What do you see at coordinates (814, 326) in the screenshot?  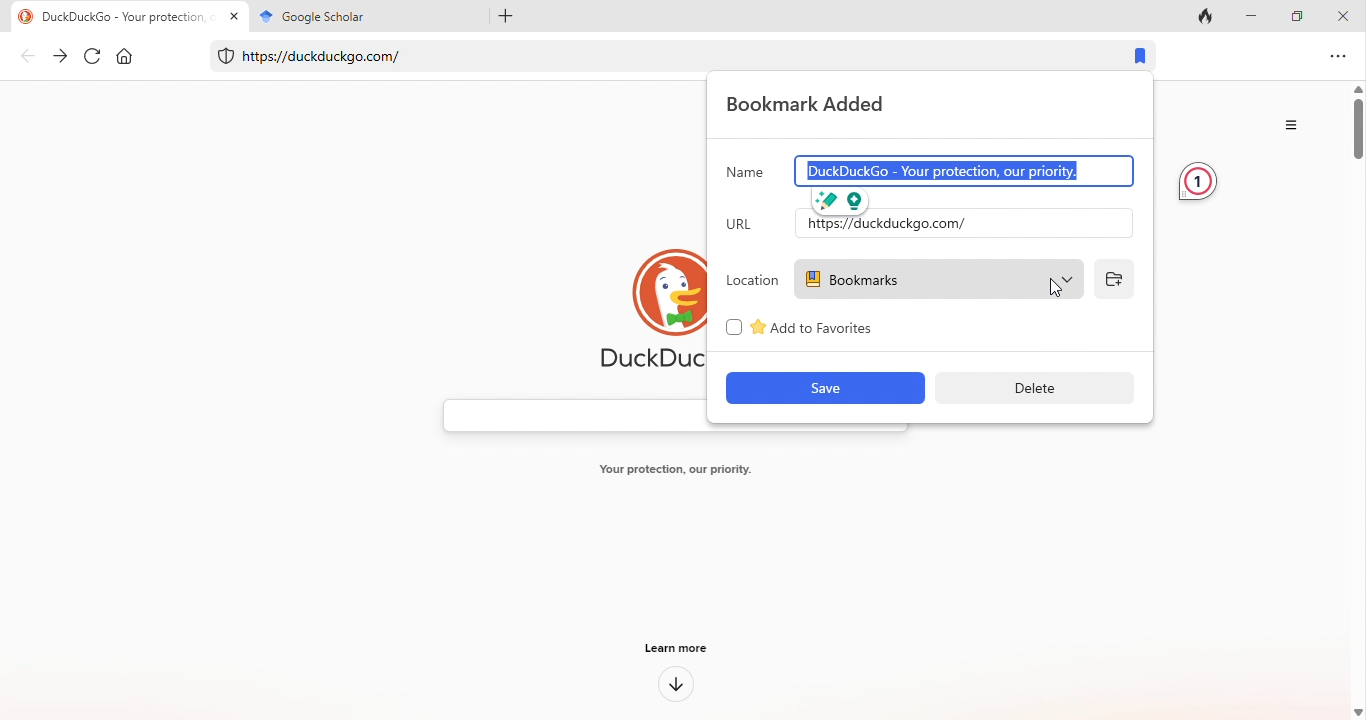 I see `add to favourites` at bounding box center [814, 326].